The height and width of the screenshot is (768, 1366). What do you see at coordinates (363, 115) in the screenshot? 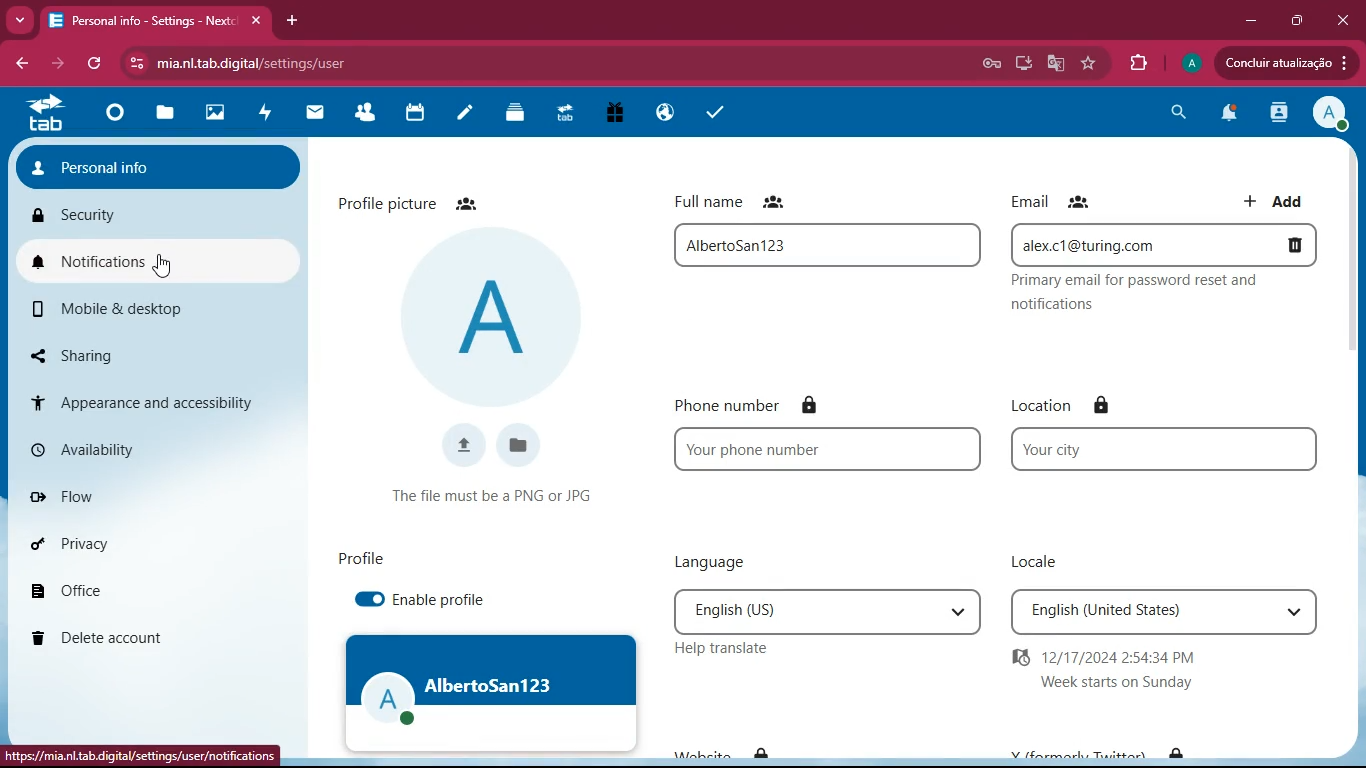
I see `friends` at bounding box center [363, 115].